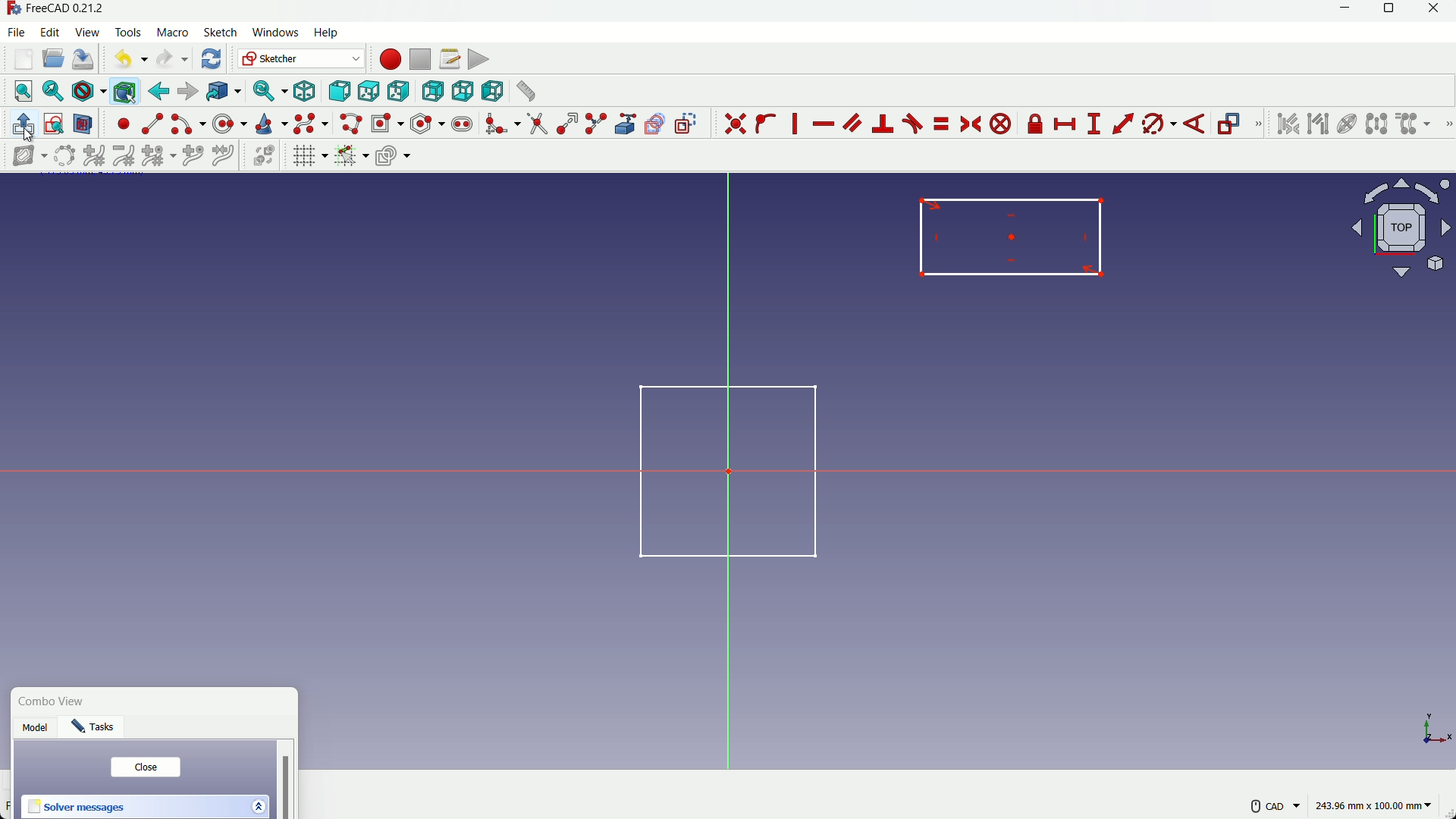 The width and height of the screenshot is (1456, 819). Describe the element at coordinates (1376, 124) in the screenshot. I see `symmetry` at that location.